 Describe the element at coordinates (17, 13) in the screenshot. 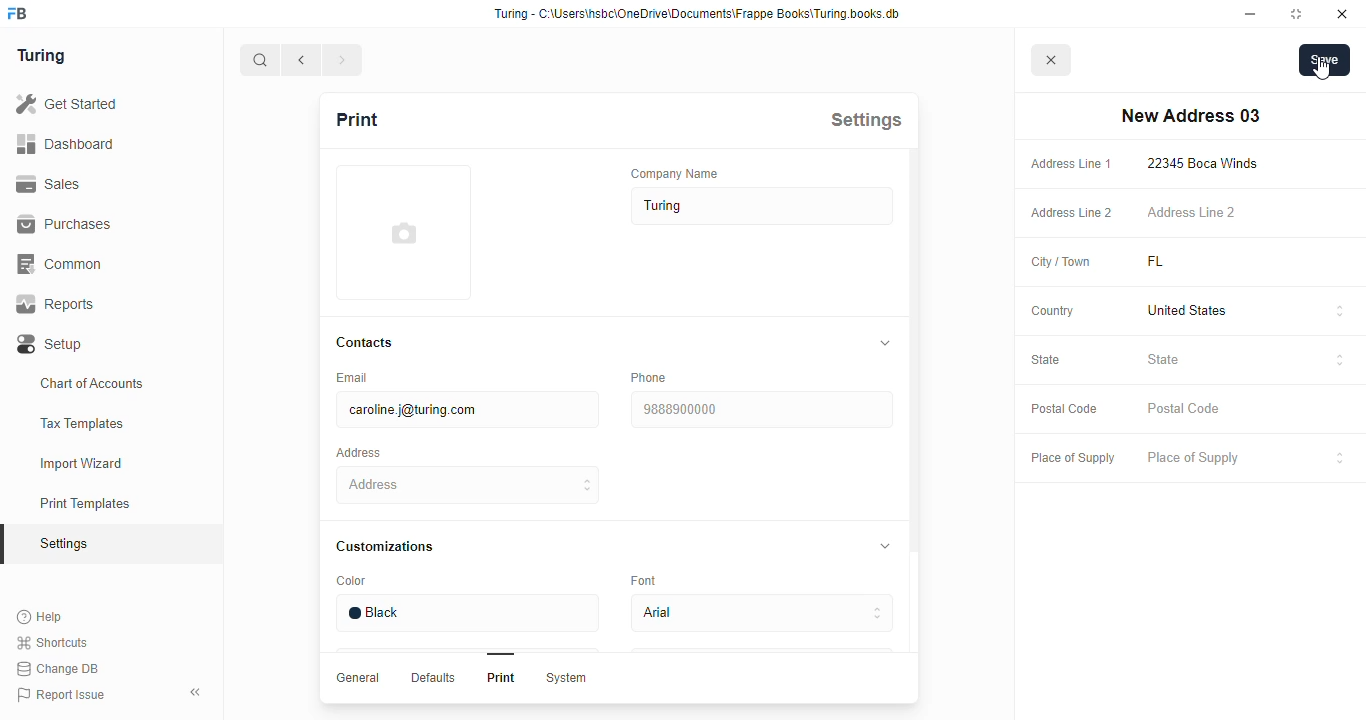

I see `FB-logo` at that location.